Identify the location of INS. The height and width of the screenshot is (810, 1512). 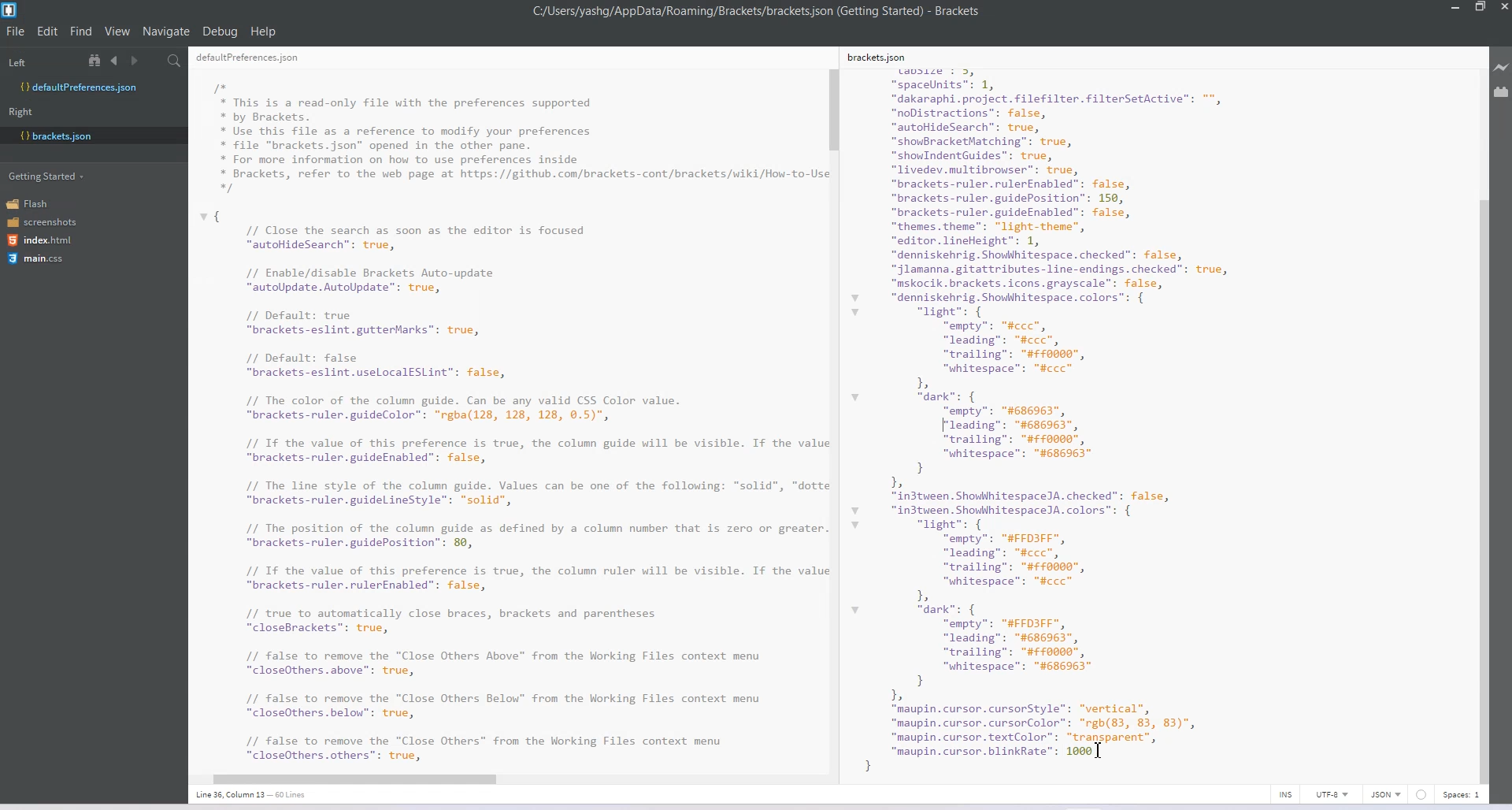
(1285, 794).